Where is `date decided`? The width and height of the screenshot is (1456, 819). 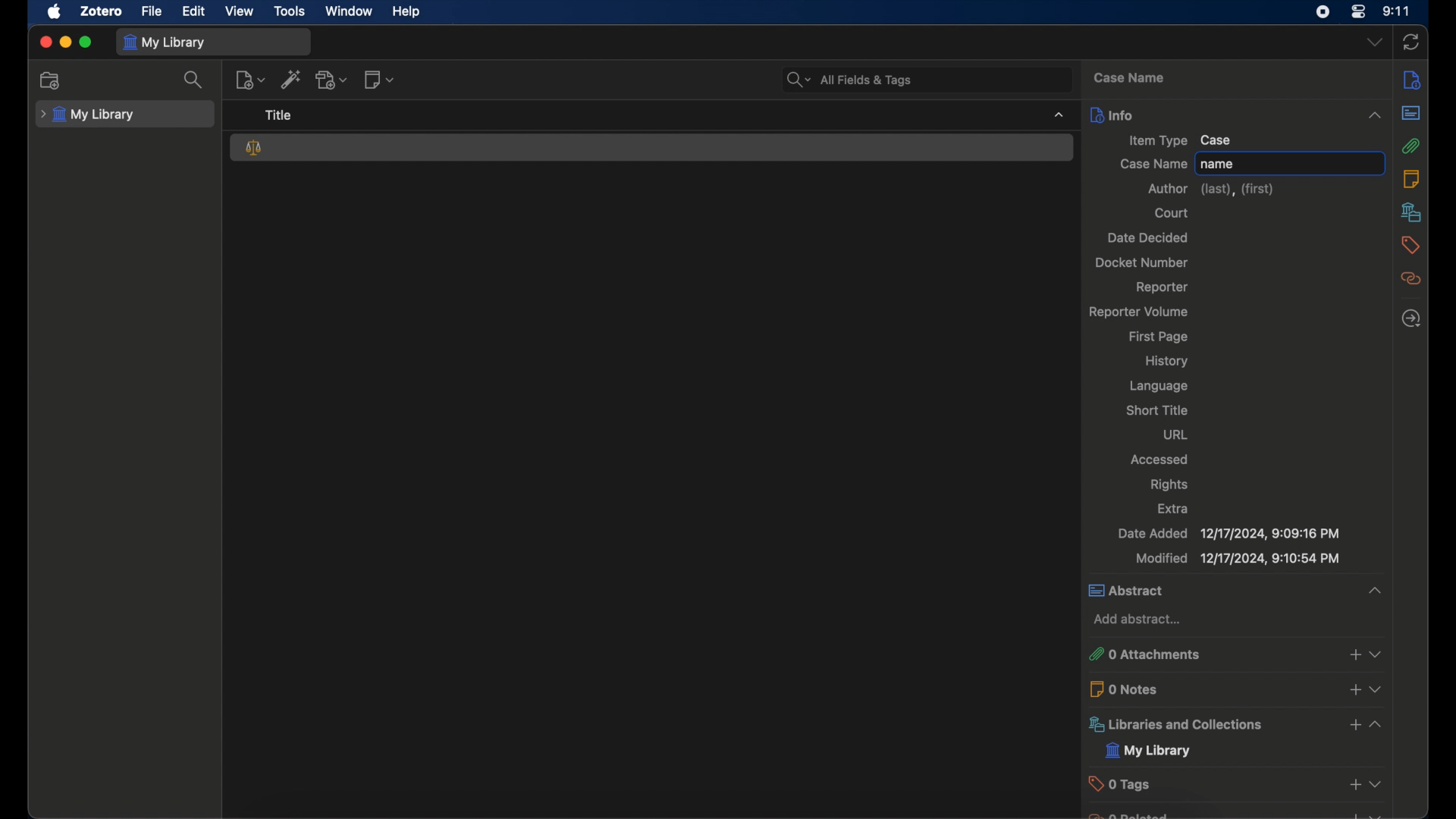 date decided is located at coordinates (1150, 238).